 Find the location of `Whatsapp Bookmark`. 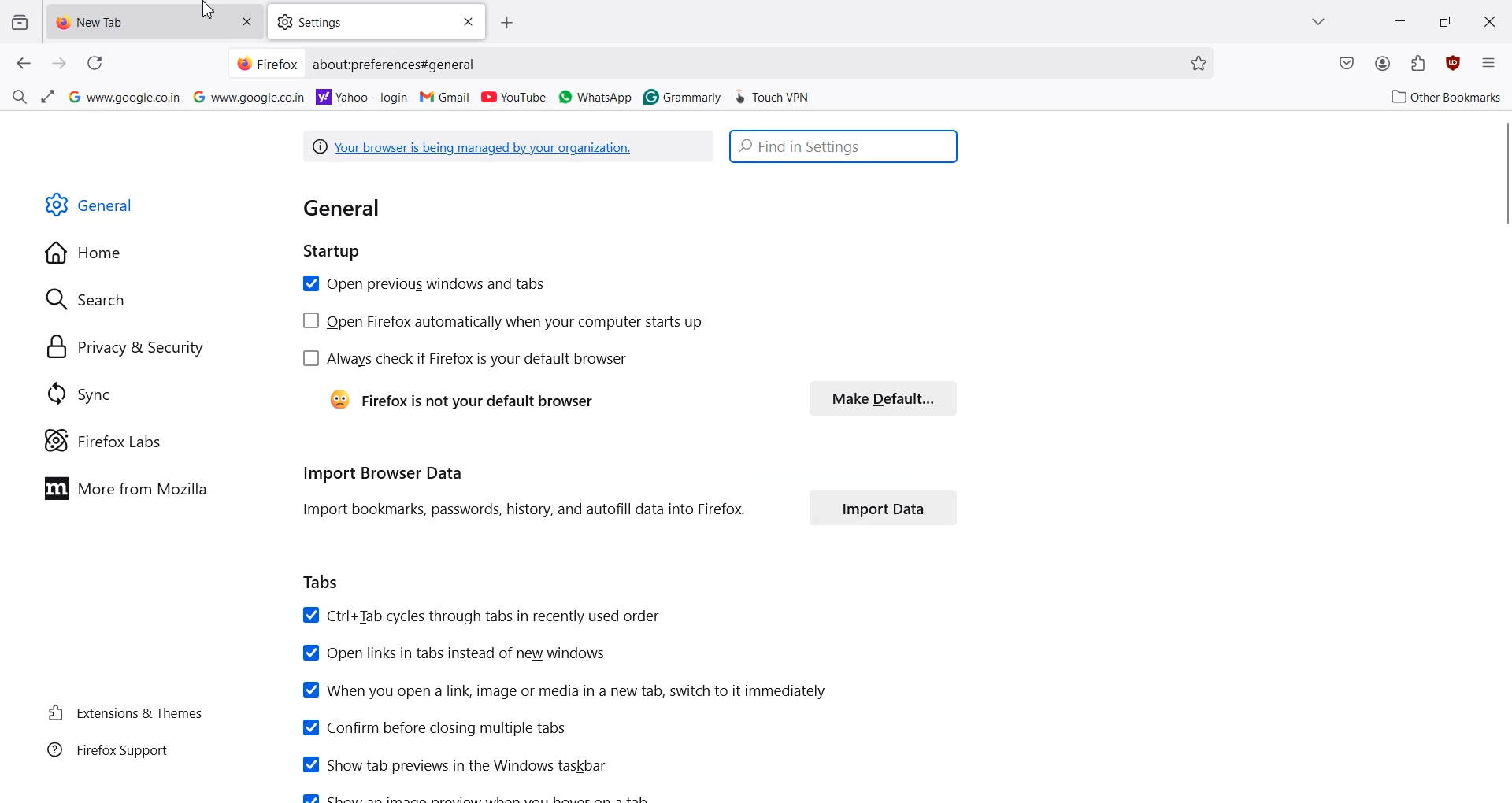

Whatsapp Bookmark is located at coordinates (596, 97).